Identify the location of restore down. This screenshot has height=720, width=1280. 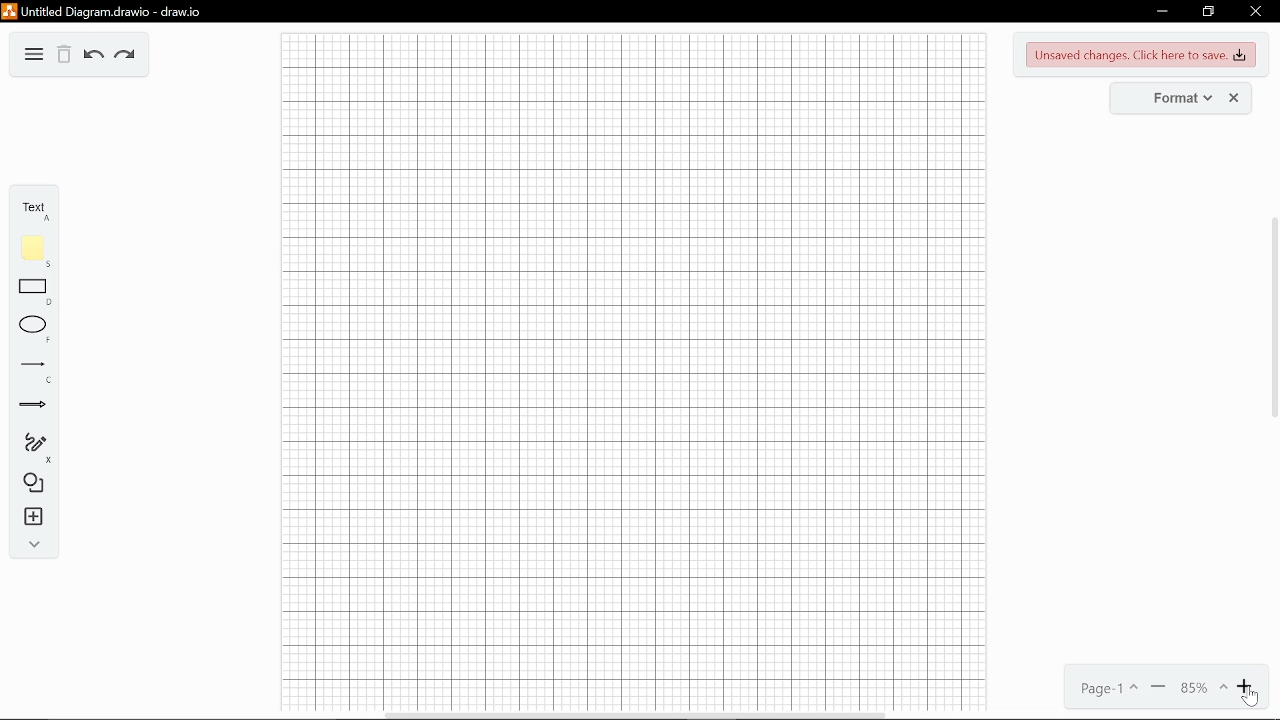
(1209, 11).